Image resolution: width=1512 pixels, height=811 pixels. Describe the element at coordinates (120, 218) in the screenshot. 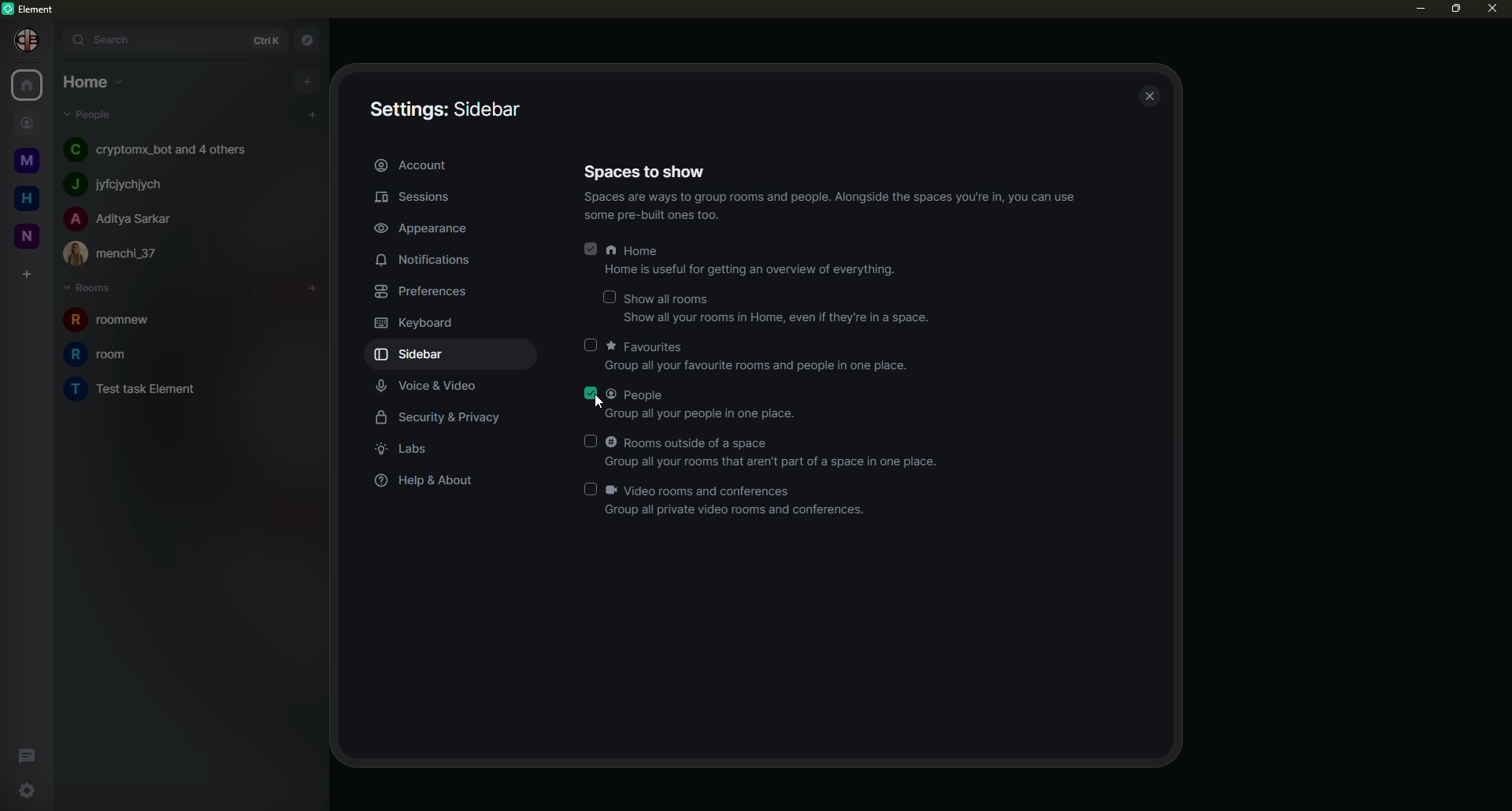

I see `people` at that location.